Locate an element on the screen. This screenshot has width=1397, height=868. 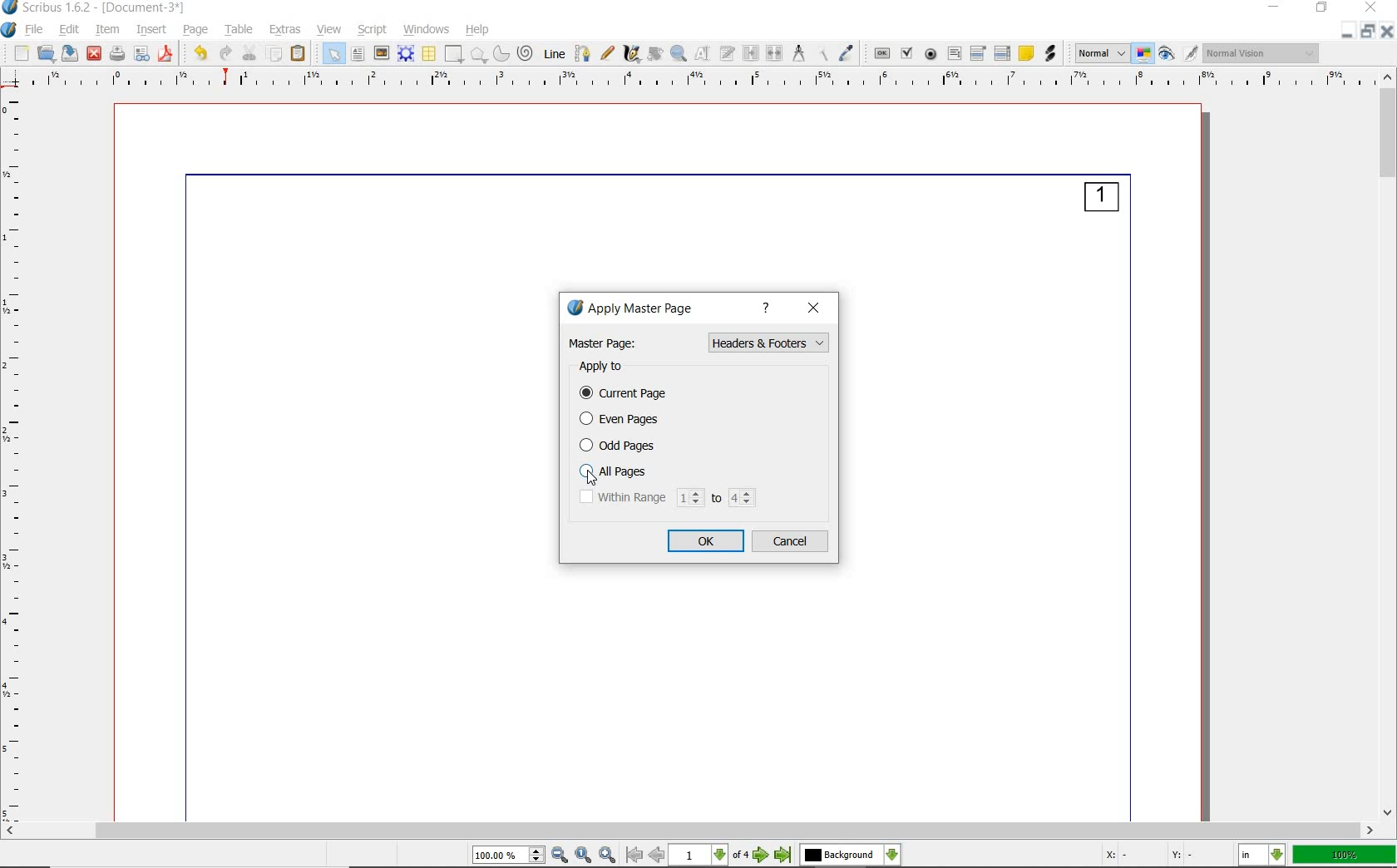
shape is located at coordinates (454, 54).